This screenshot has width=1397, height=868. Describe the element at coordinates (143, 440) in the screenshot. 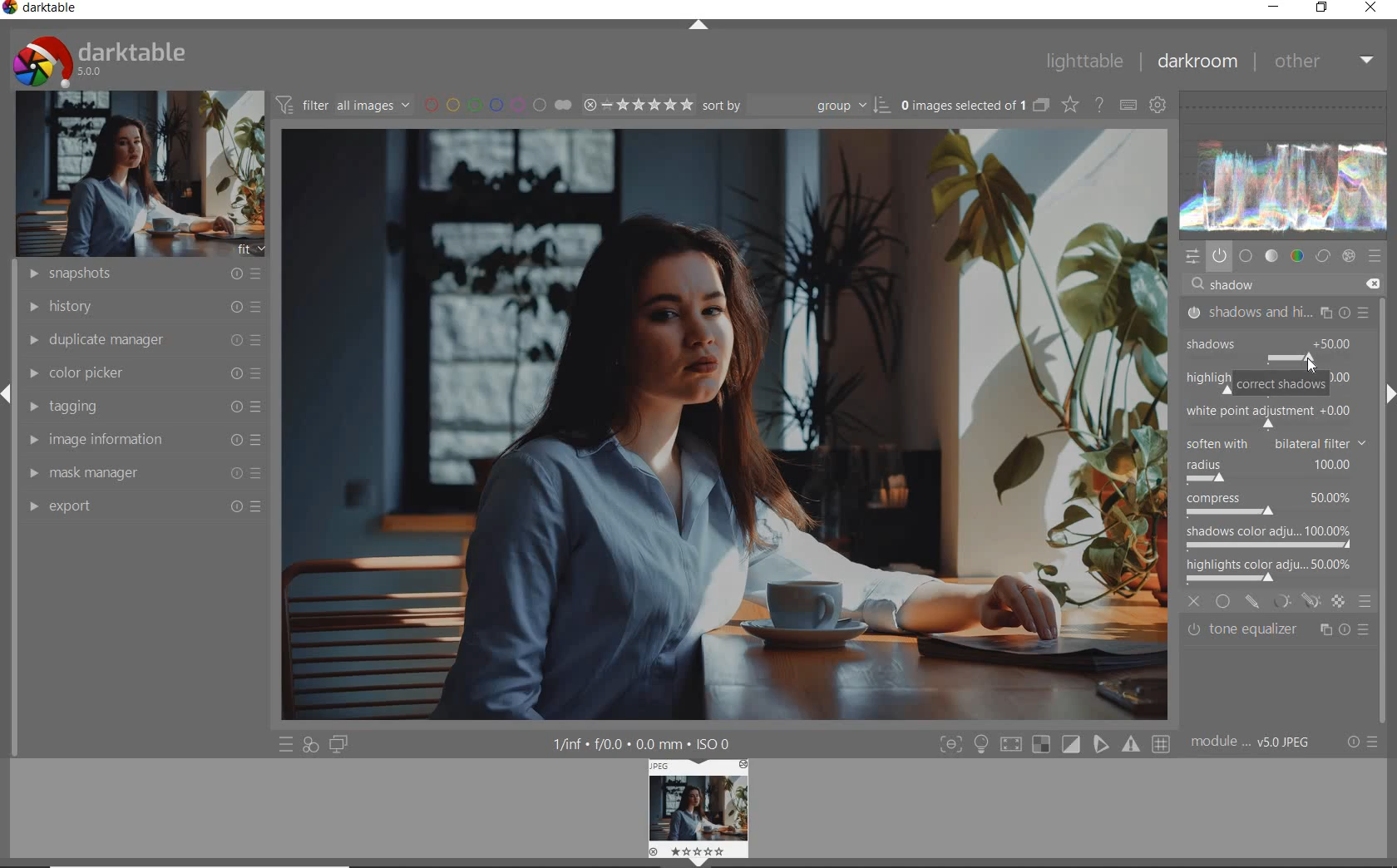

I see `image information` at that location.